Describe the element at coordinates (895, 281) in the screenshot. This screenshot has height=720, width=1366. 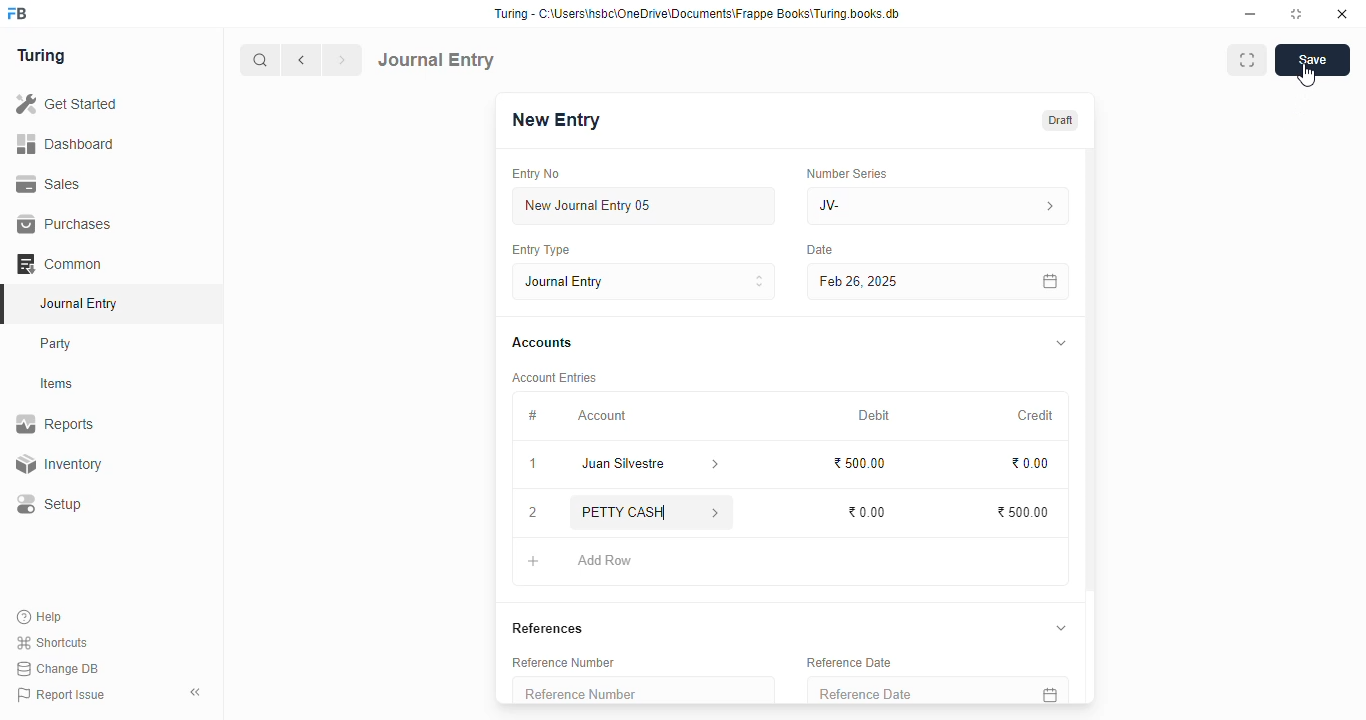
I see `Feb 26, 2025` at that location.